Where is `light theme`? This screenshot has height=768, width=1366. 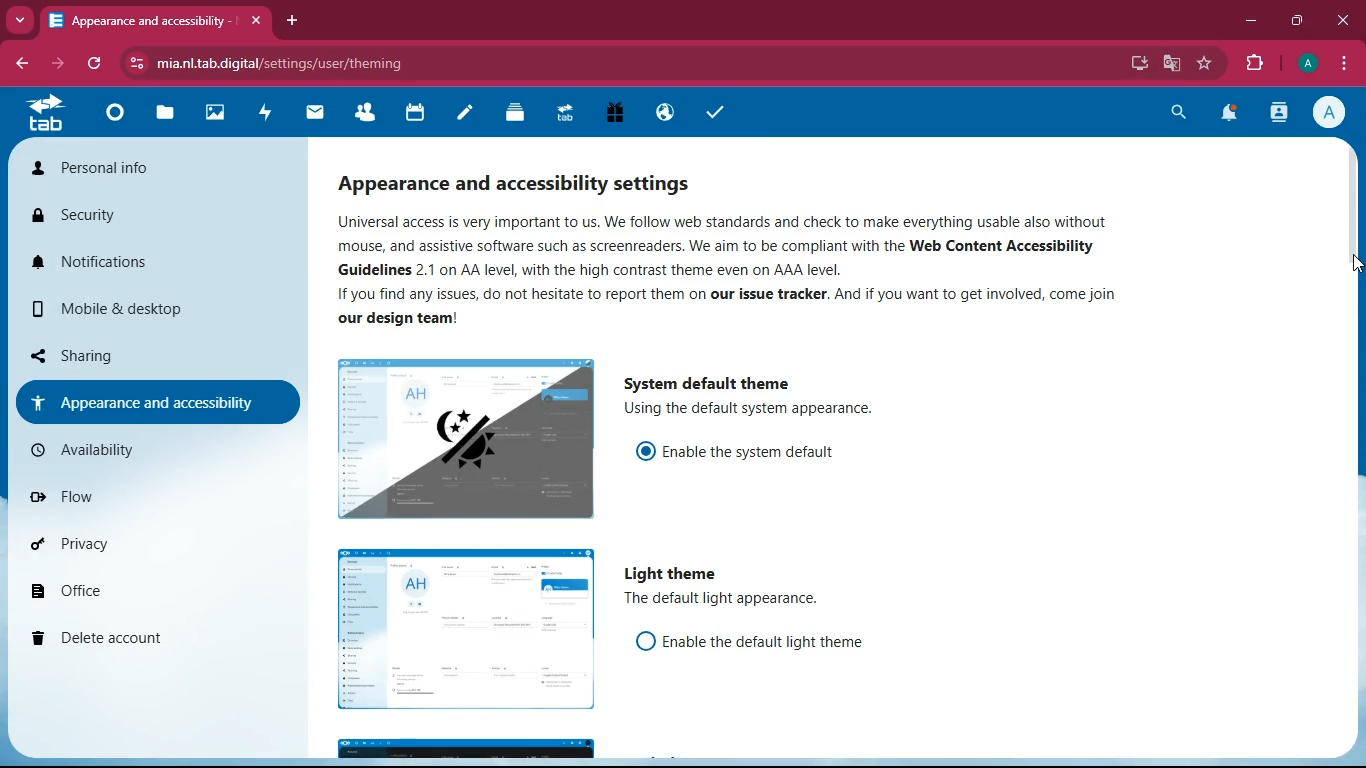 light theme is located at coordinates (667, 572).